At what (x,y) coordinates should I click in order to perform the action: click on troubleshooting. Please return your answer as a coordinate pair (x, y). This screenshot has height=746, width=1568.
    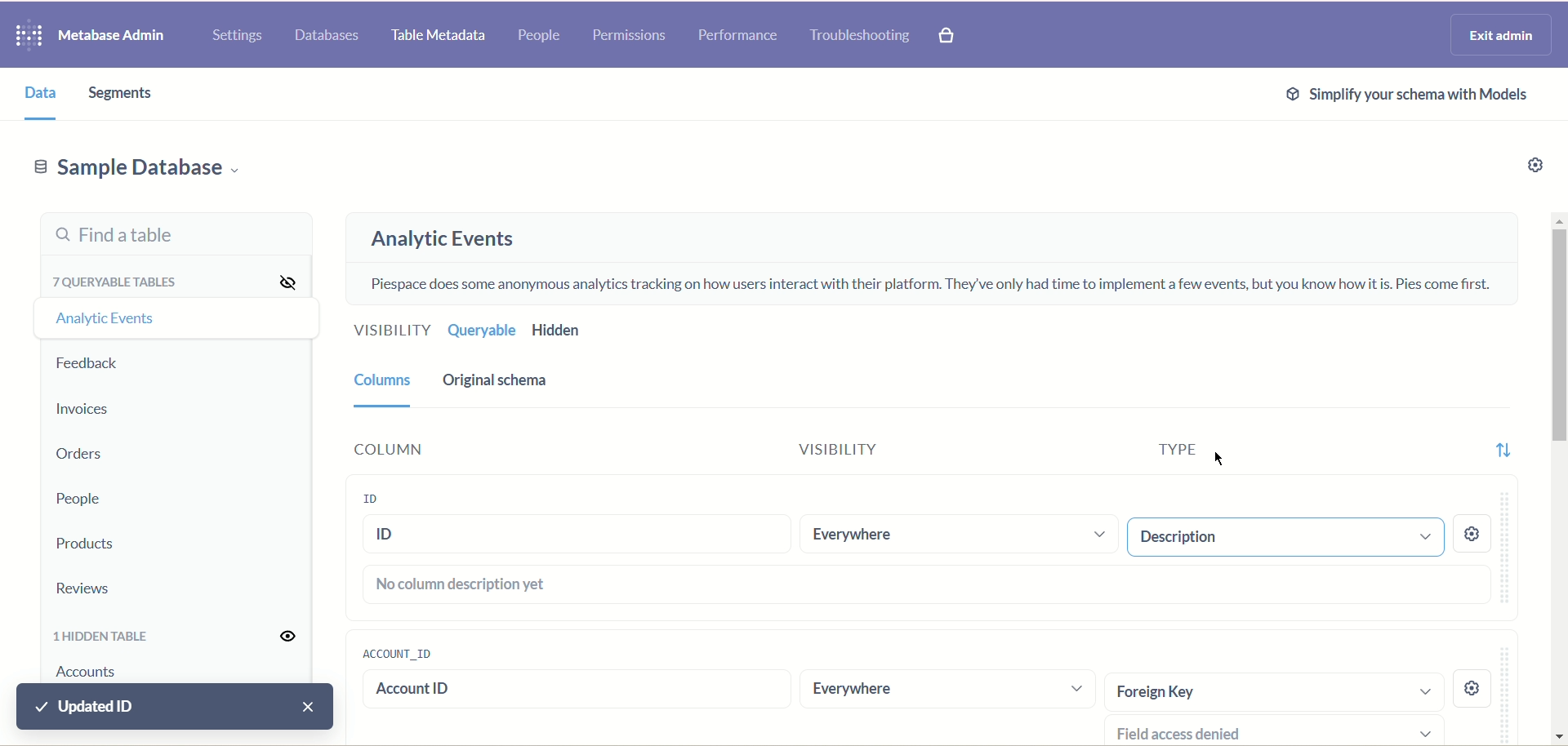
    Looking at the image, I should click on (860, 35).